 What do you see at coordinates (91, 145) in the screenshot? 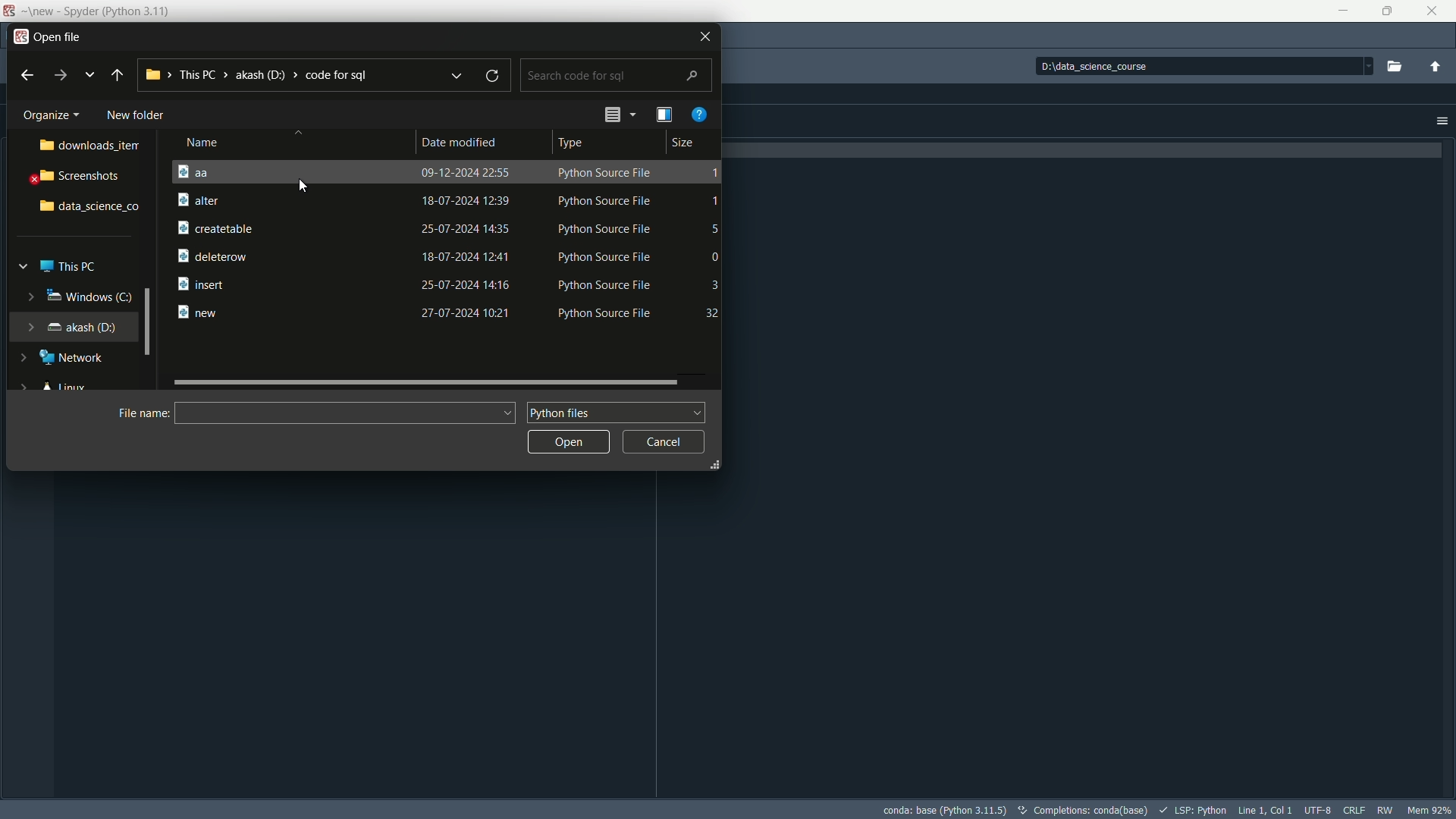
I see `download items` at bounding box center [91, 145].